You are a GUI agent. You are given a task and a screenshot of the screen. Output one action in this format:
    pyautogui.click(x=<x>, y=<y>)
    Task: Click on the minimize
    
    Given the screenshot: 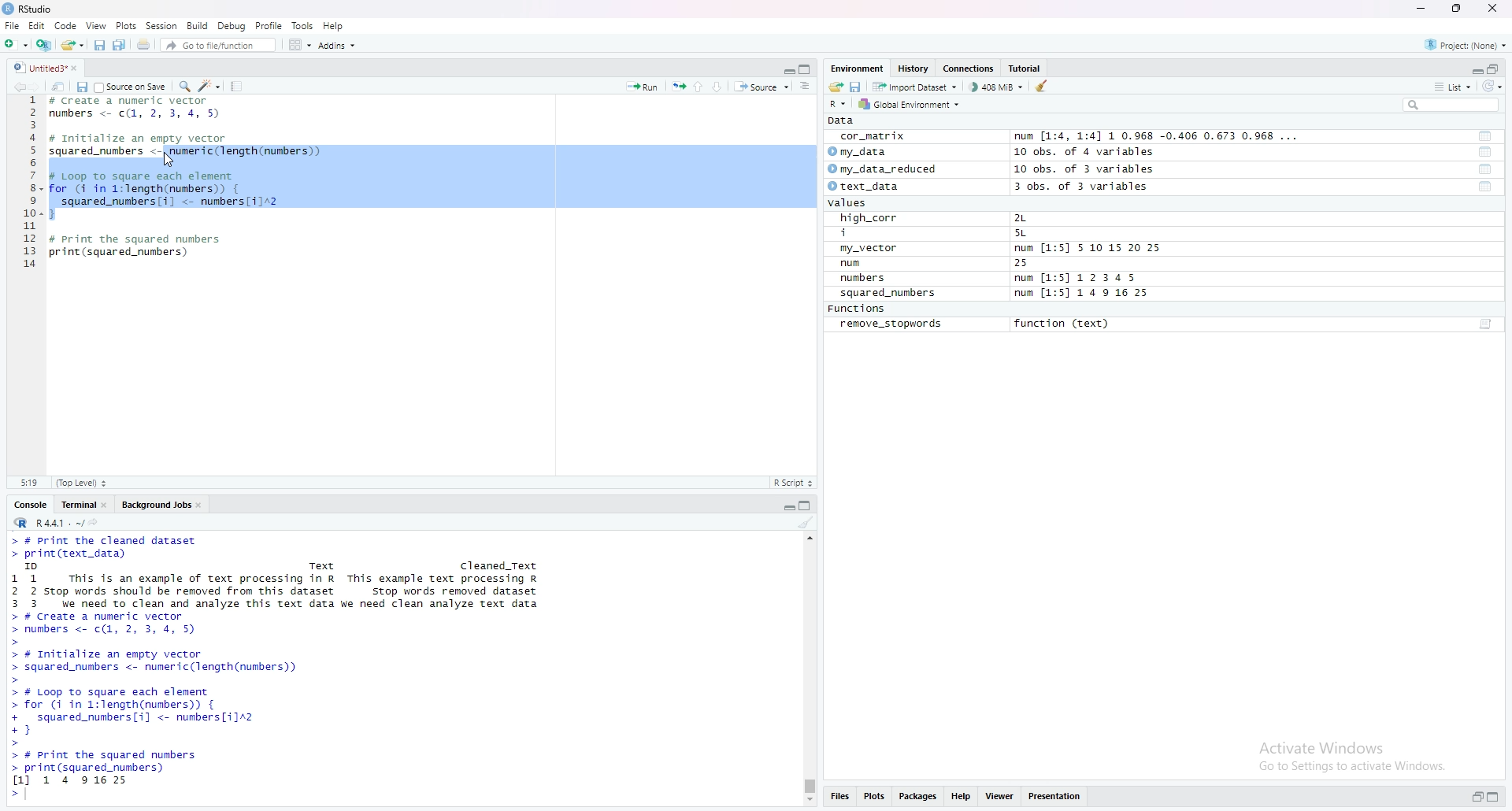 What is the action you would take?
    pyautogui.click(x=1475, y=68)
    